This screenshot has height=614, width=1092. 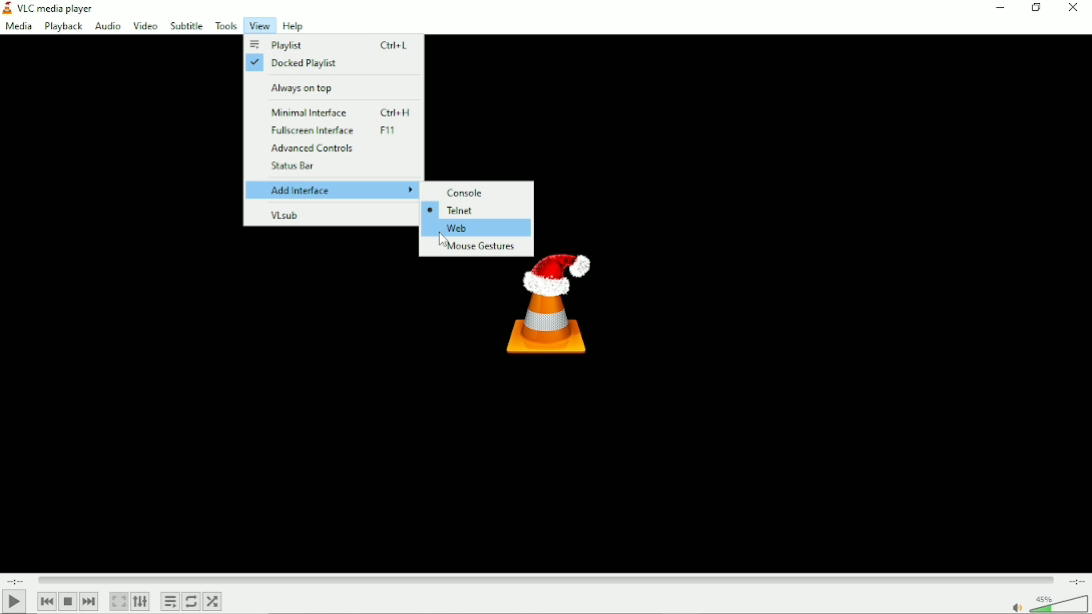 What do you see at coordinates (333, 190) in the screenshot?
I see `Add interface` at bounding box center [333, 190].